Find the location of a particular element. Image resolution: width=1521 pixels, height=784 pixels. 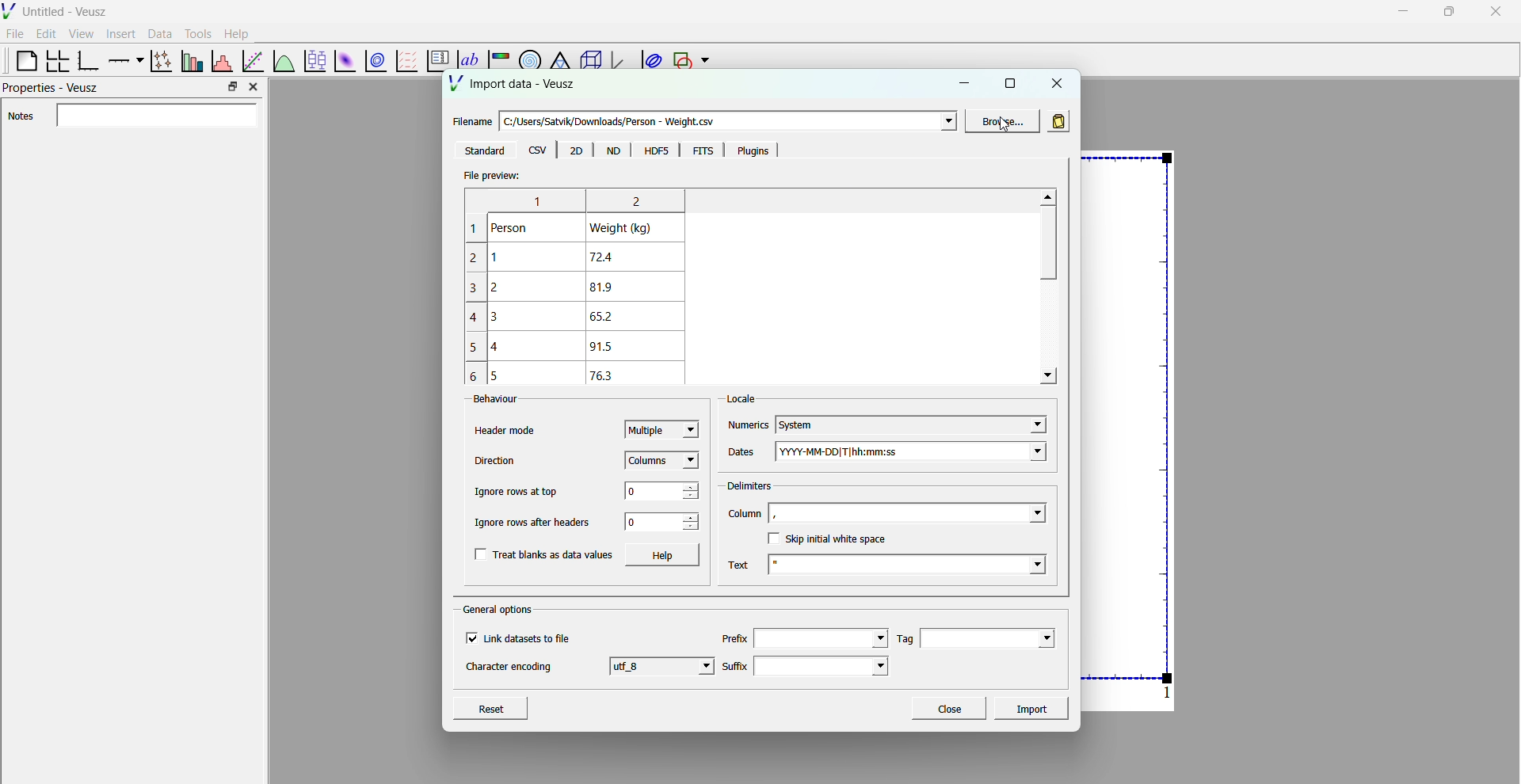

0 is located at coordinates (634, 522).